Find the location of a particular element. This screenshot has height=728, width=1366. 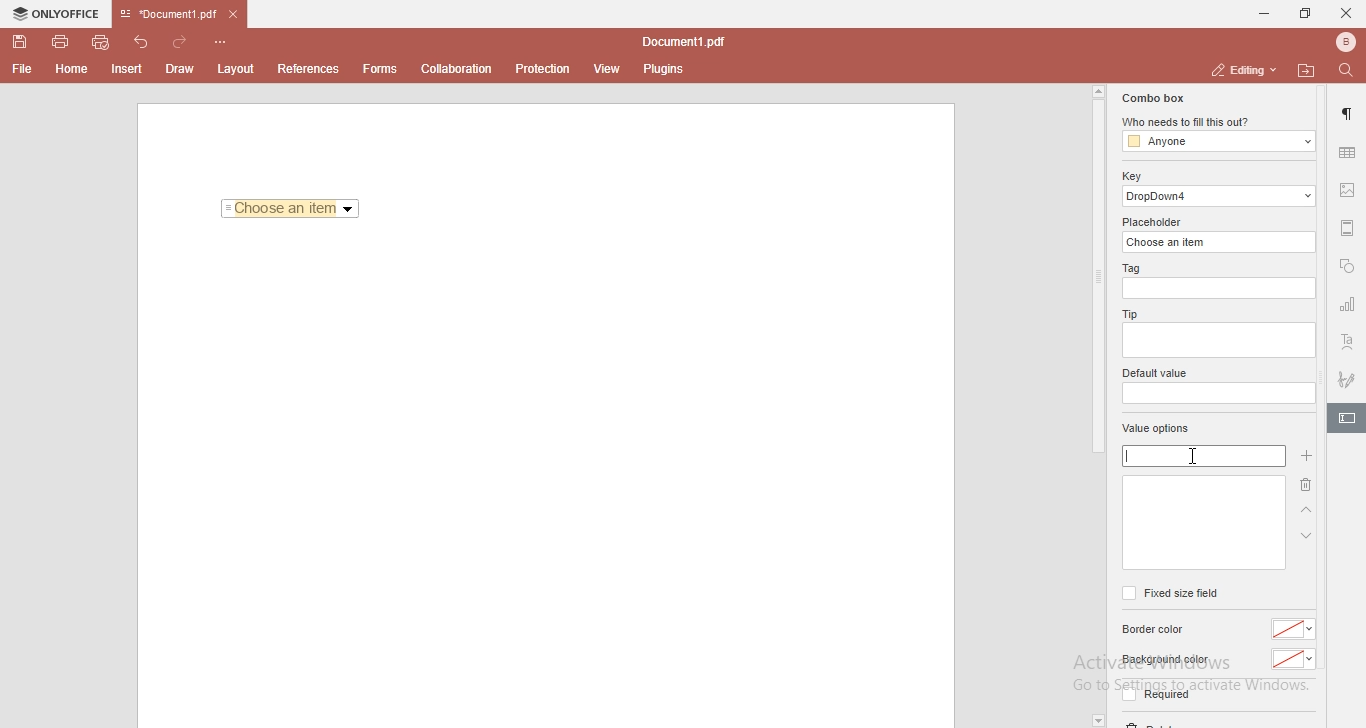

dropdown 4 is located at coordinates (1220, 196).